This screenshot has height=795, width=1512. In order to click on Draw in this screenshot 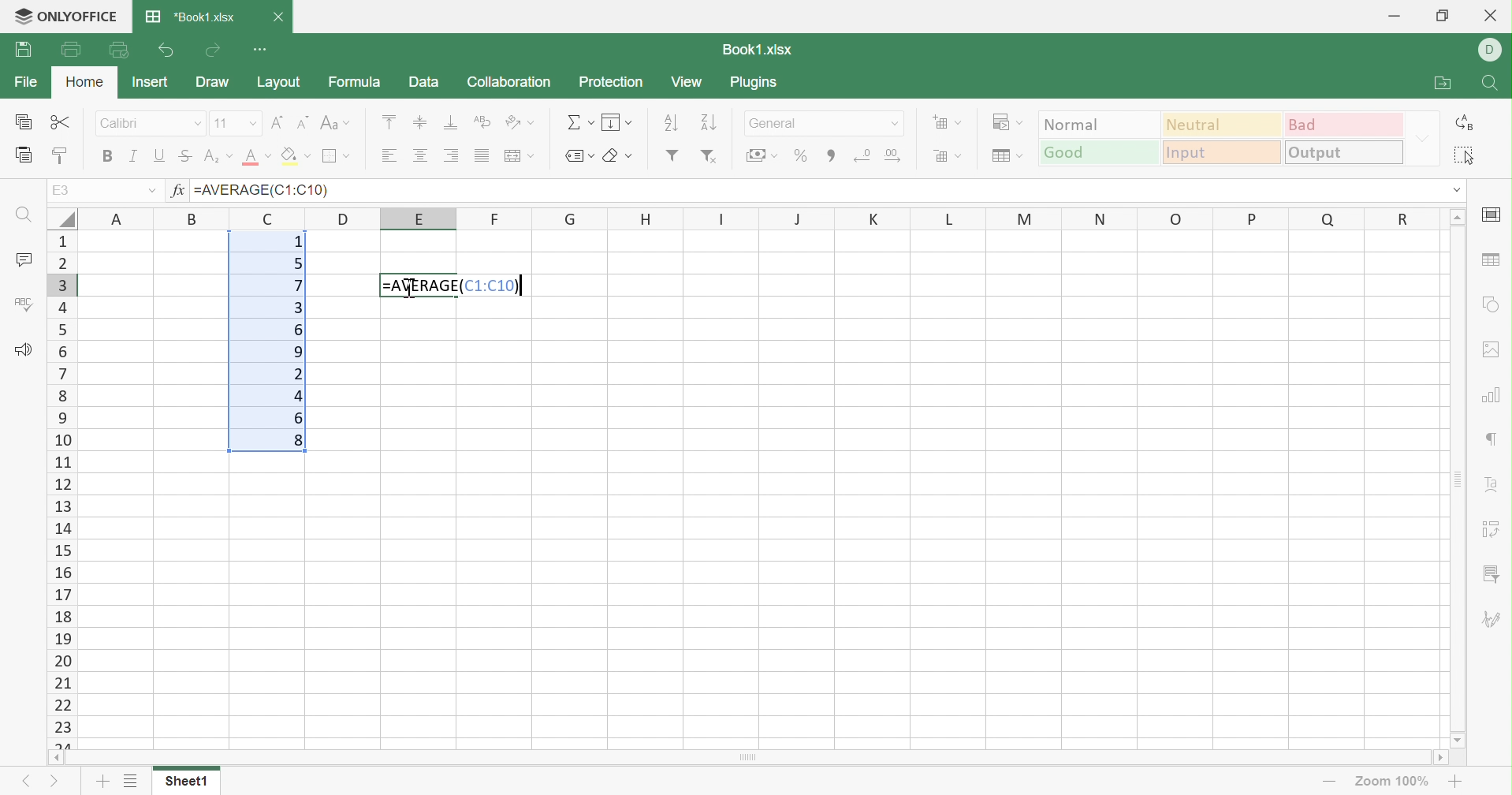, I will do `click(214, 82)`.